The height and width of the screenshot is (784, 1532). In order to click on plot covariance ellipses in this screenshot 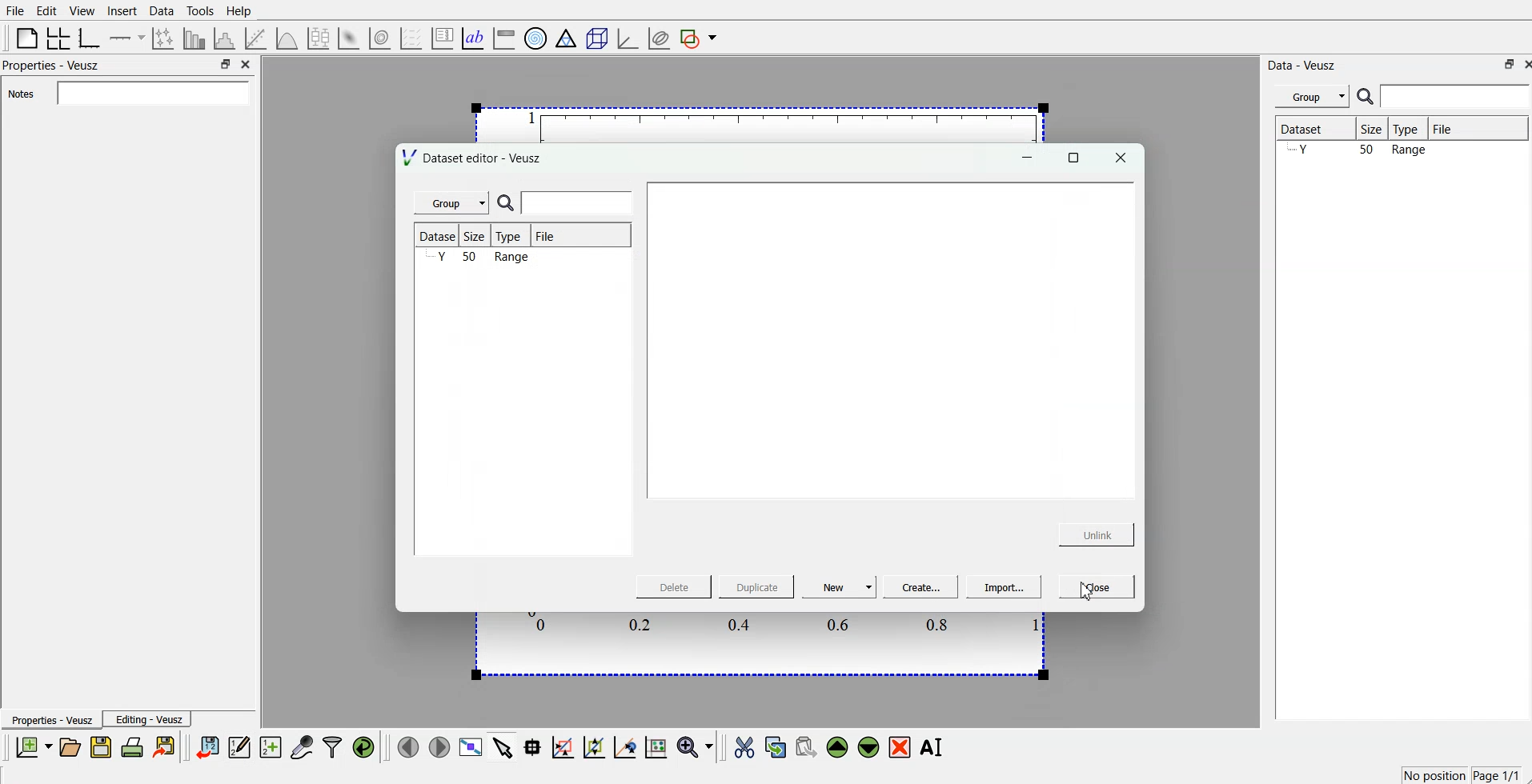, I will do `click(658, 37)`.